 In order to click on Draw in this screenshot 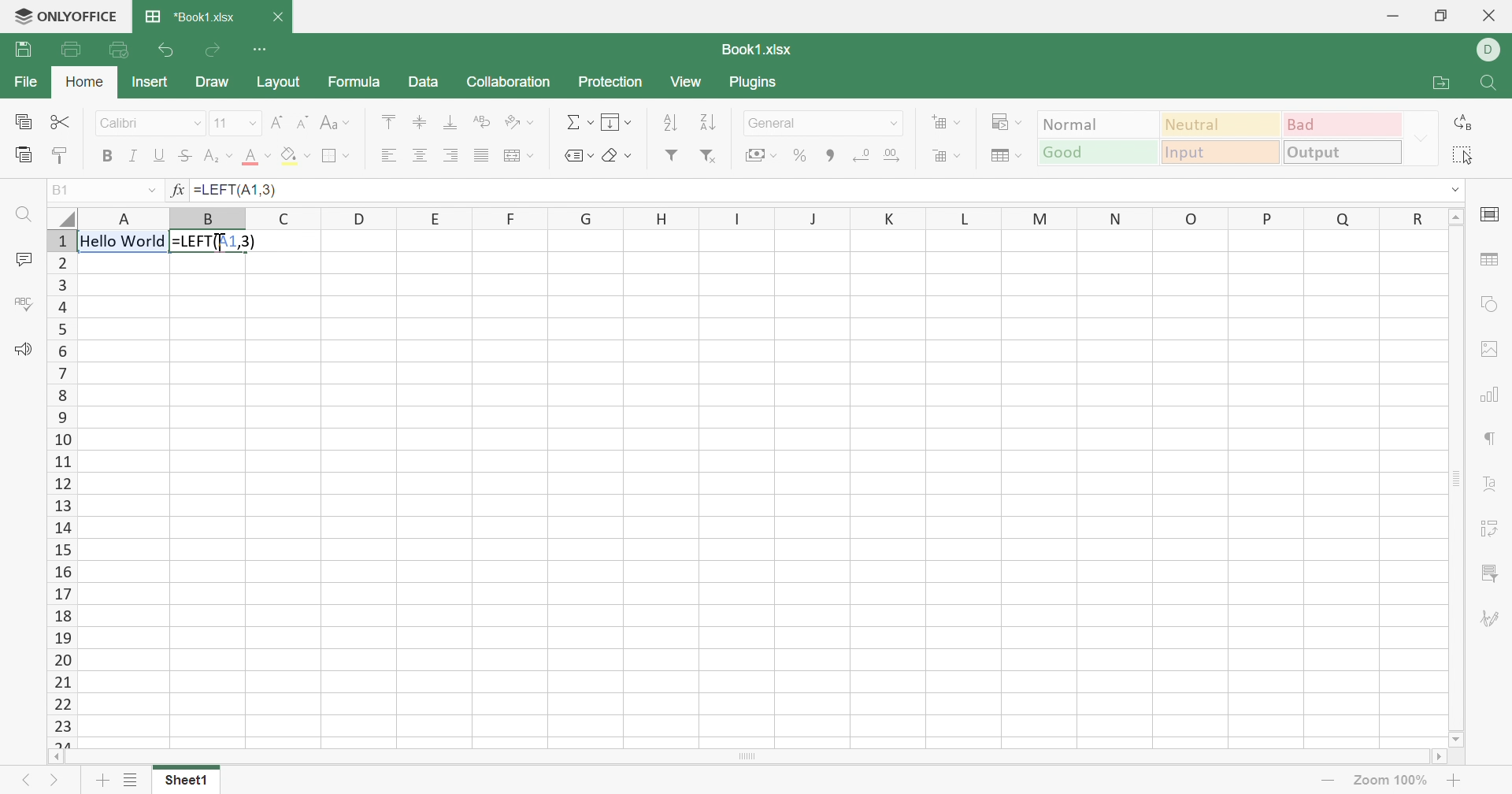, I will do `click(217, 82)`.